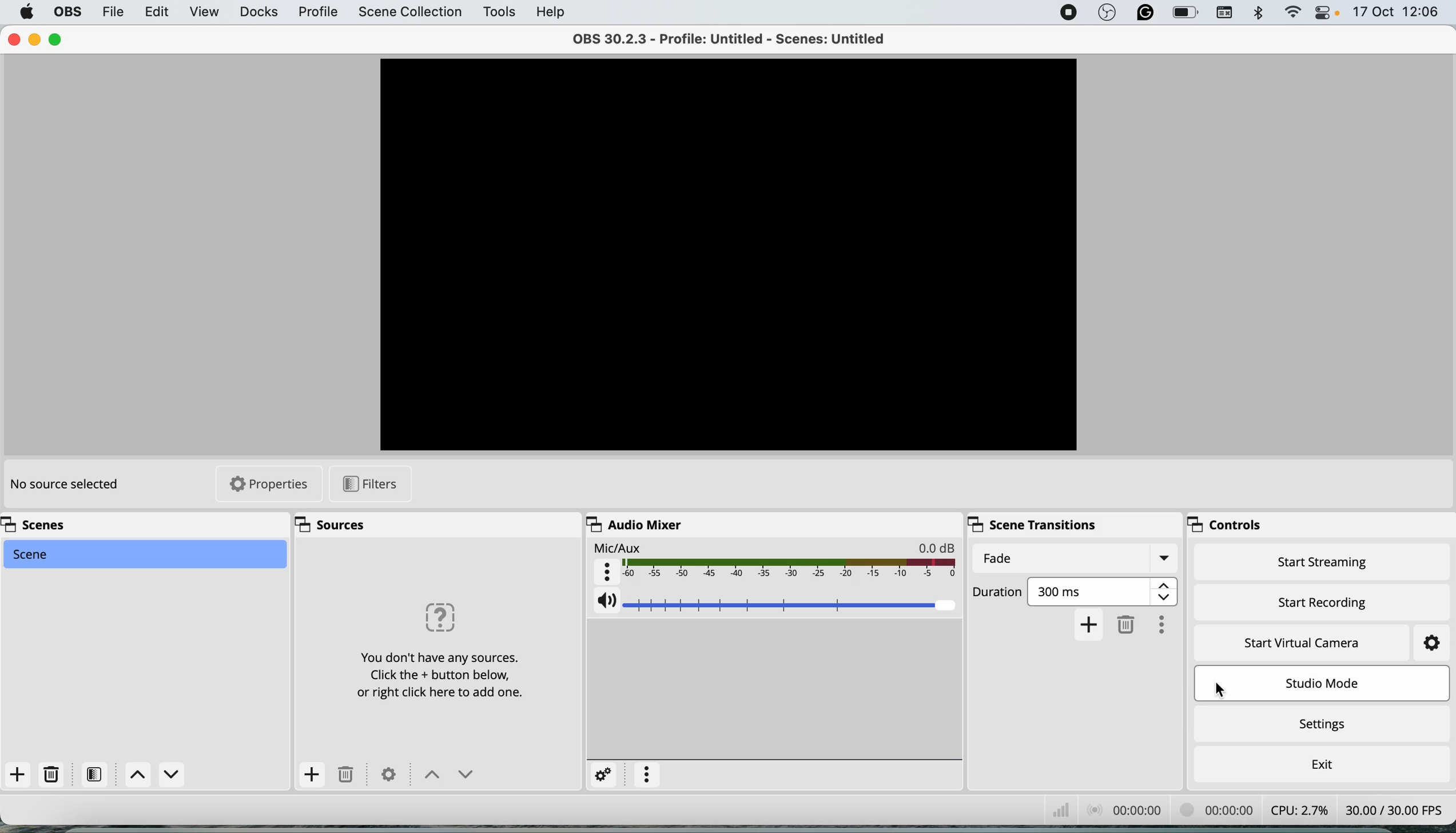 This screenshot has height=833, width=1456. What do you see at coordinates (96, 773) in the screenshot?
I see `filters` at bounding box center [96, 773].